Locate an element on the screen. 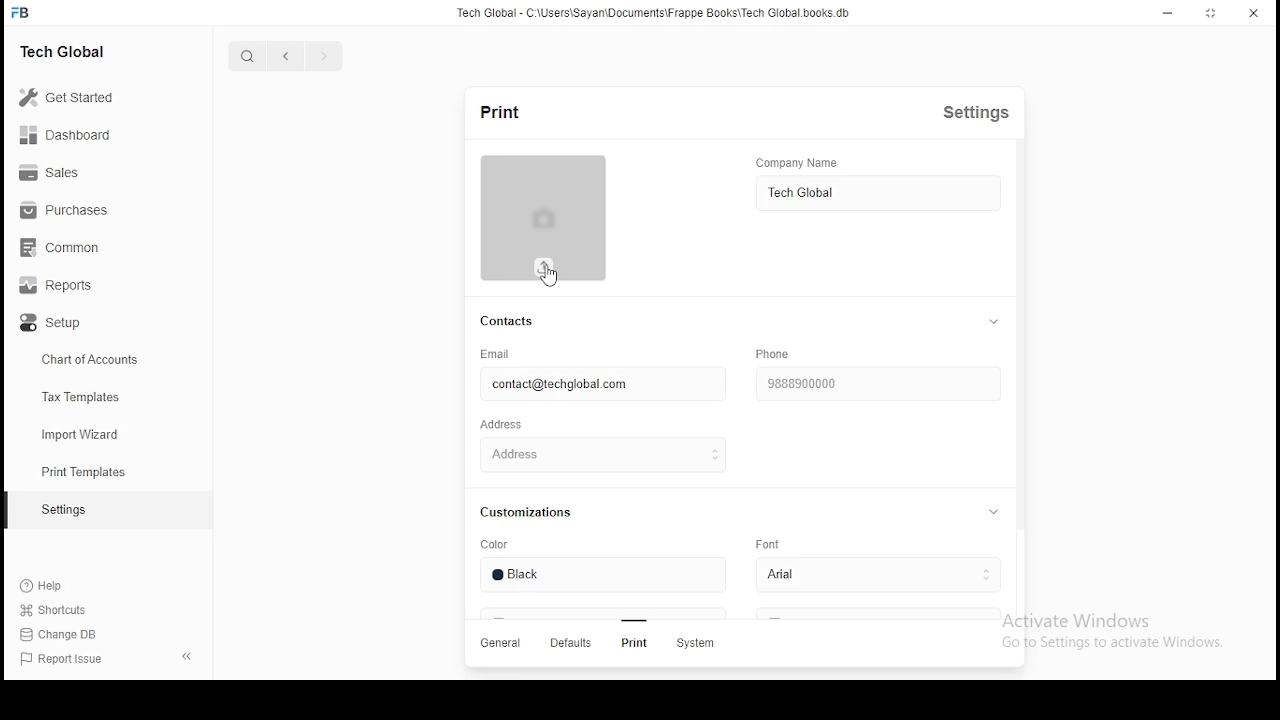  Address Input Box is located at coordinates (600, 454).